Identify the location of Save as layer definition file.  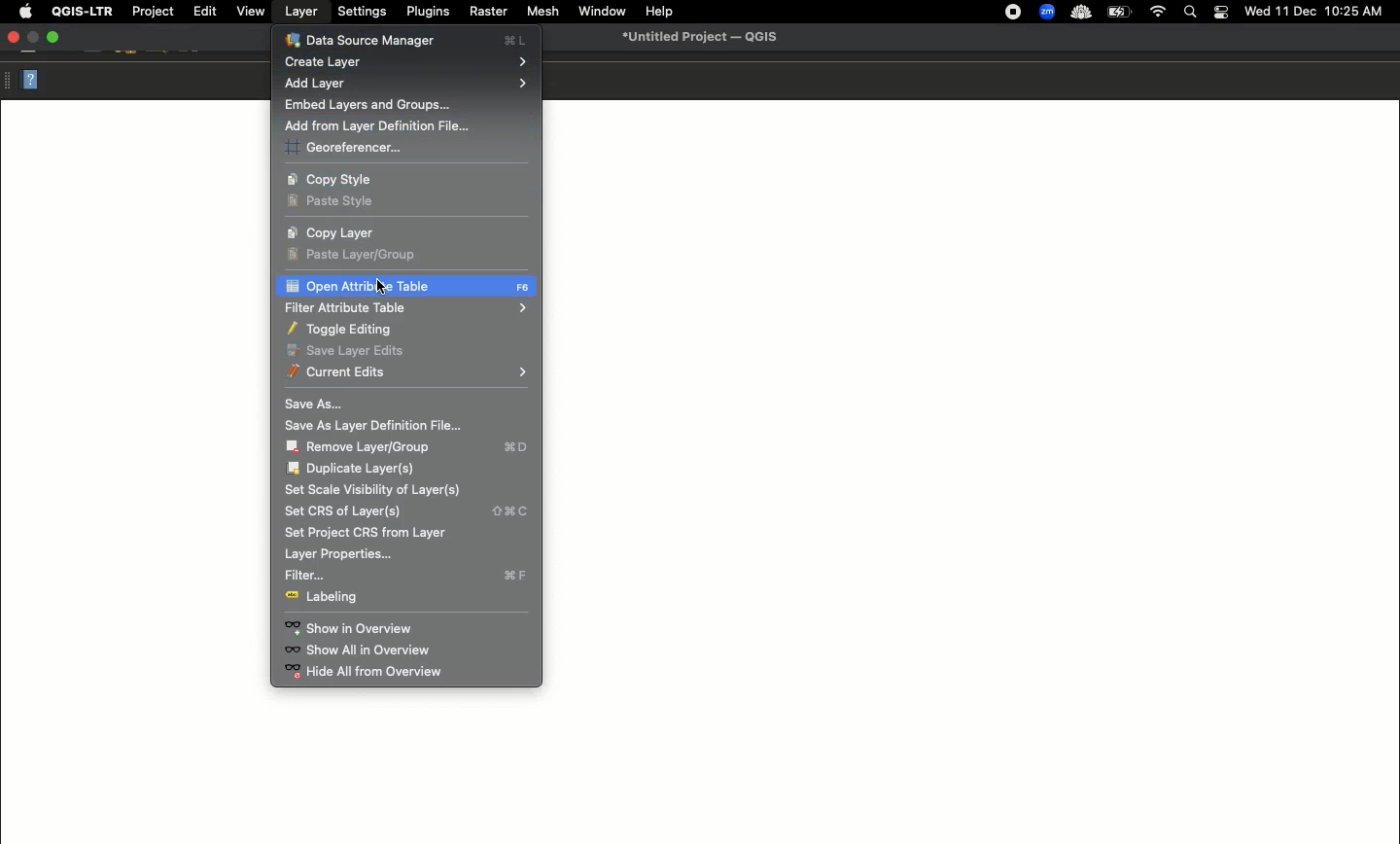
(380, 426).